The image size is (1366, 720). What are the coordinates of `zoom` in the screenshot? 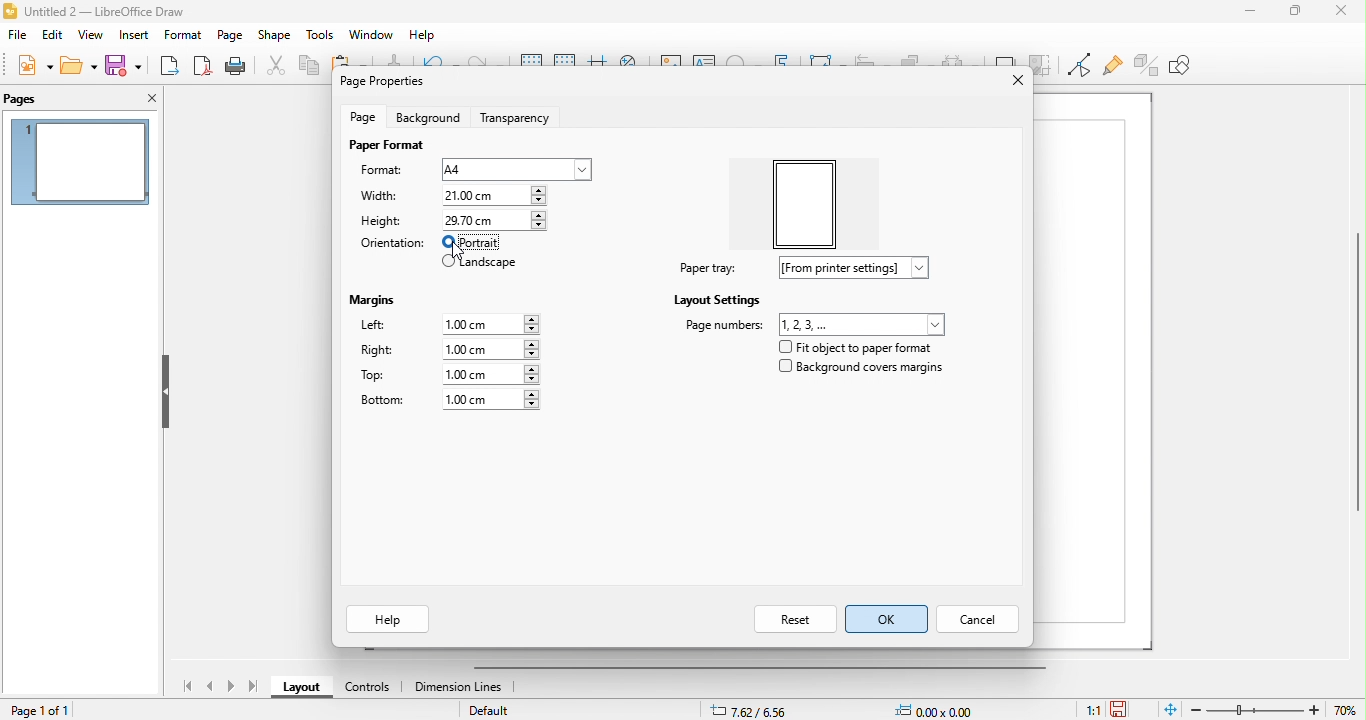 It's located at (1278, 709).